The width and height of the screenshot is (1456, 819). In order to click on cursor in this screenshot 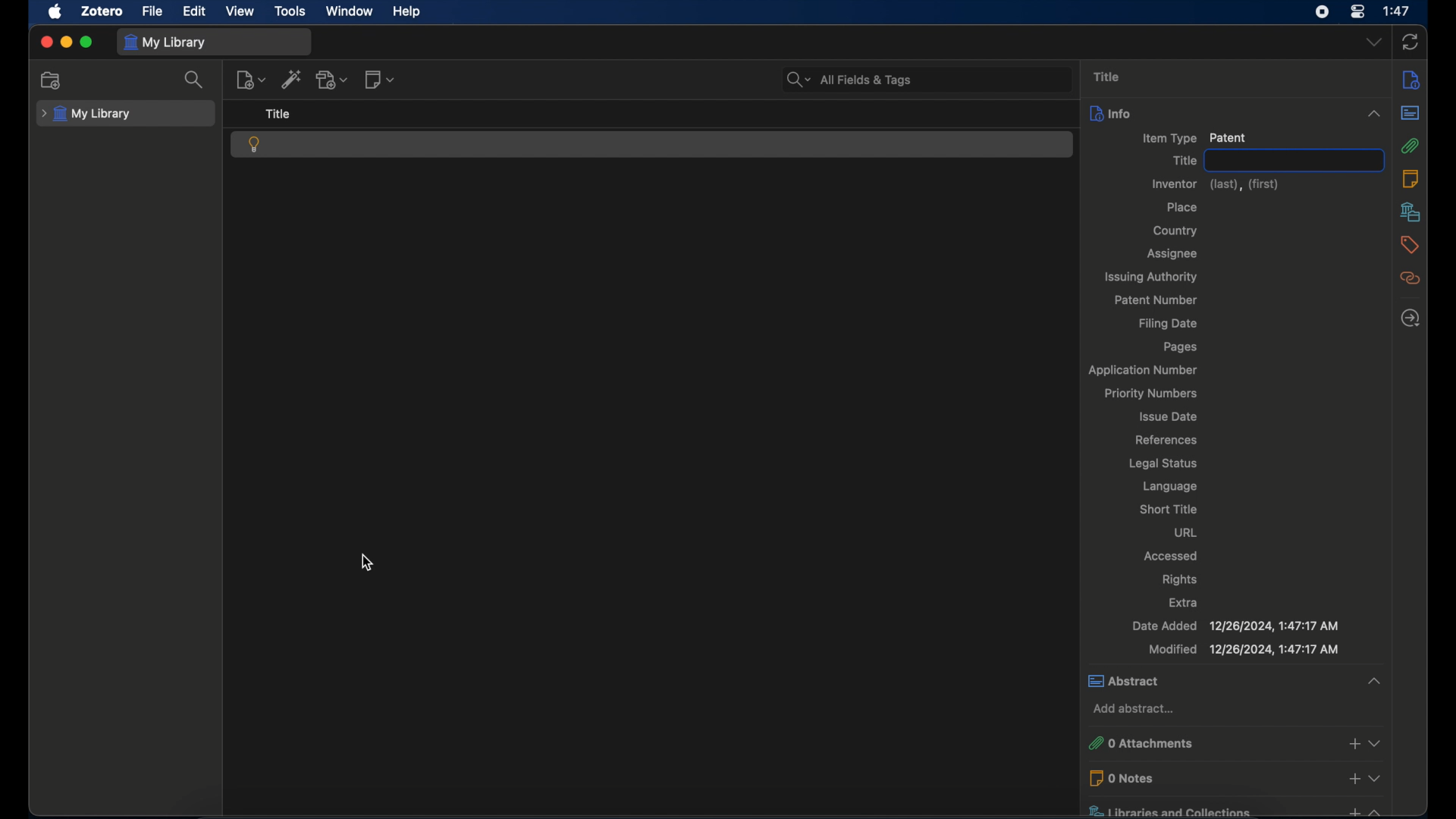, I will do `click(367, 563)`.